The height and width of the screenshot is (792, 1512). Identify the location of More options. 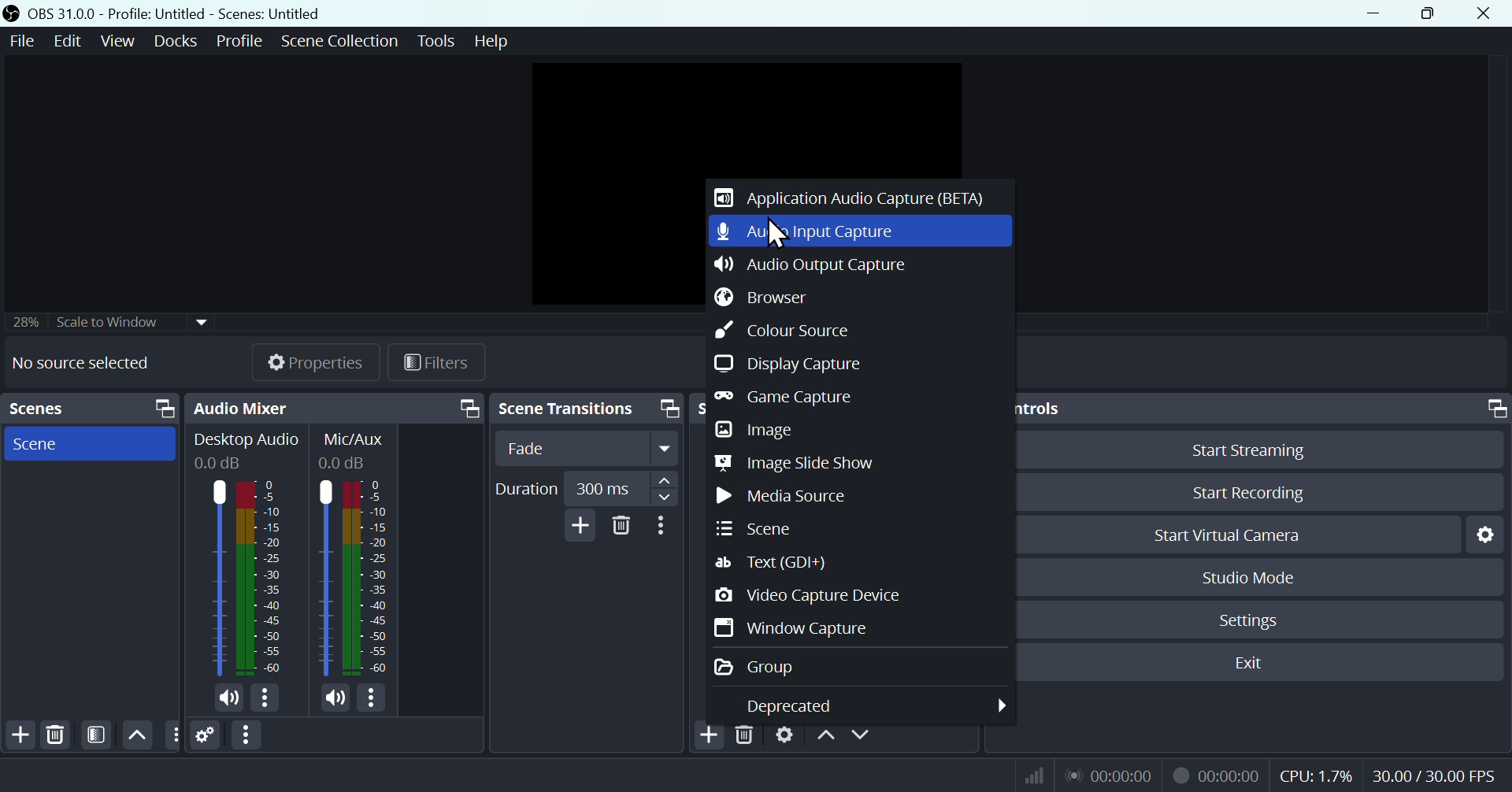
(248, 735).